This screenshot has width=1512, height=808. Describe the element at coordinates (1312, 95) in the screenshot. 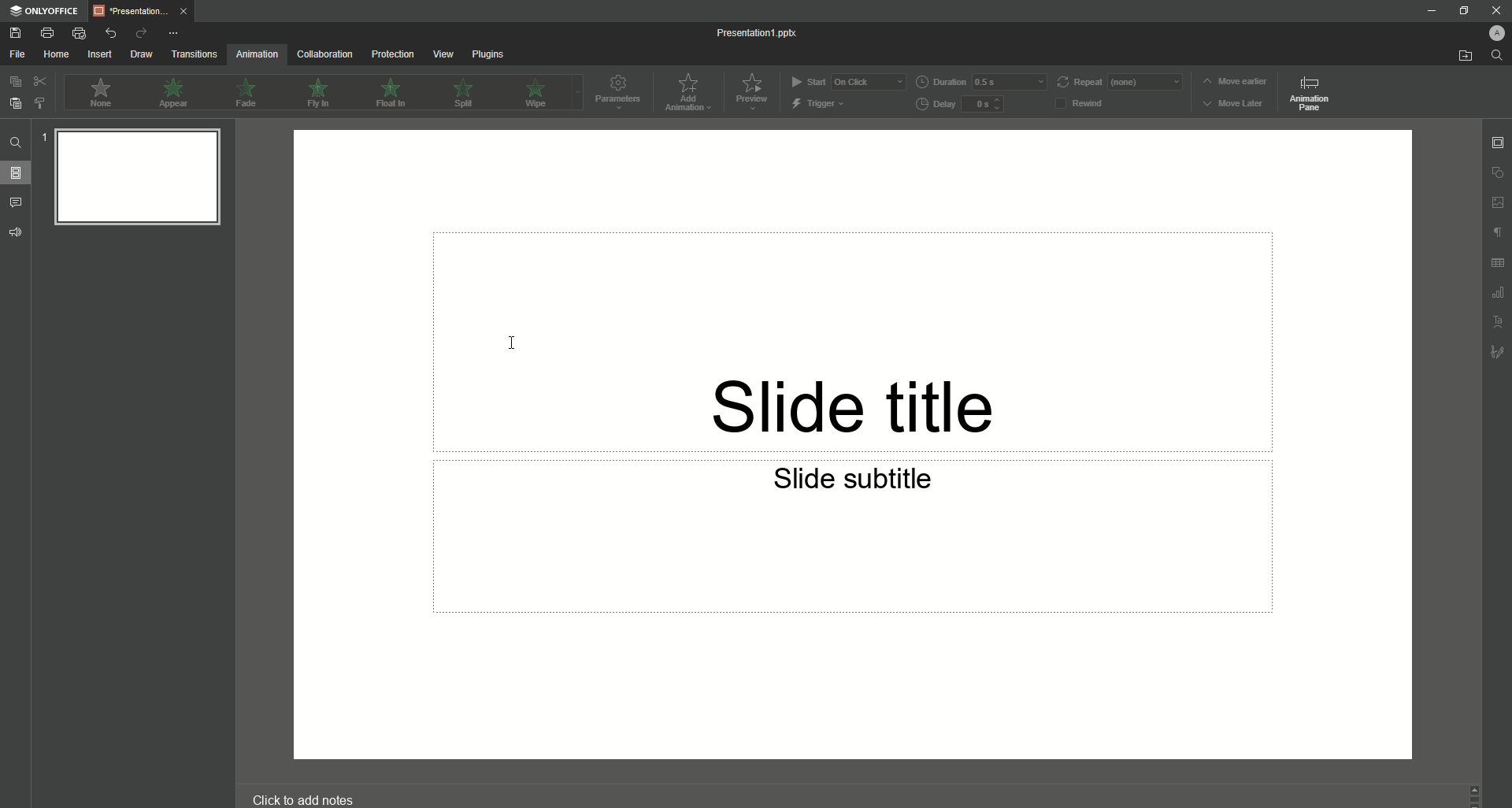

I see `Animation Pane` at that location.